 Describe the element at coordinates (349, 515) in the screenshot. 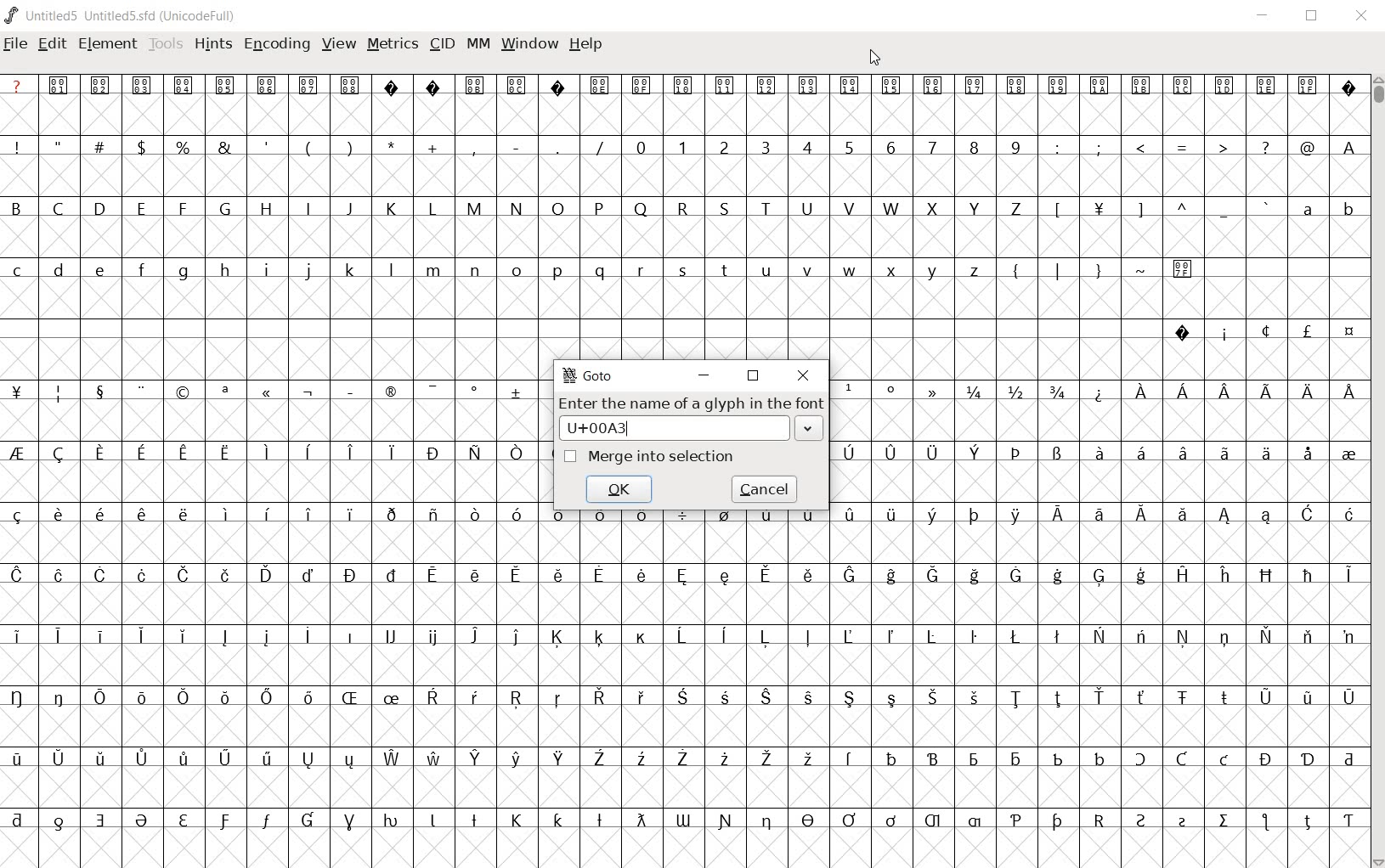

I see `Symbol` at that location.